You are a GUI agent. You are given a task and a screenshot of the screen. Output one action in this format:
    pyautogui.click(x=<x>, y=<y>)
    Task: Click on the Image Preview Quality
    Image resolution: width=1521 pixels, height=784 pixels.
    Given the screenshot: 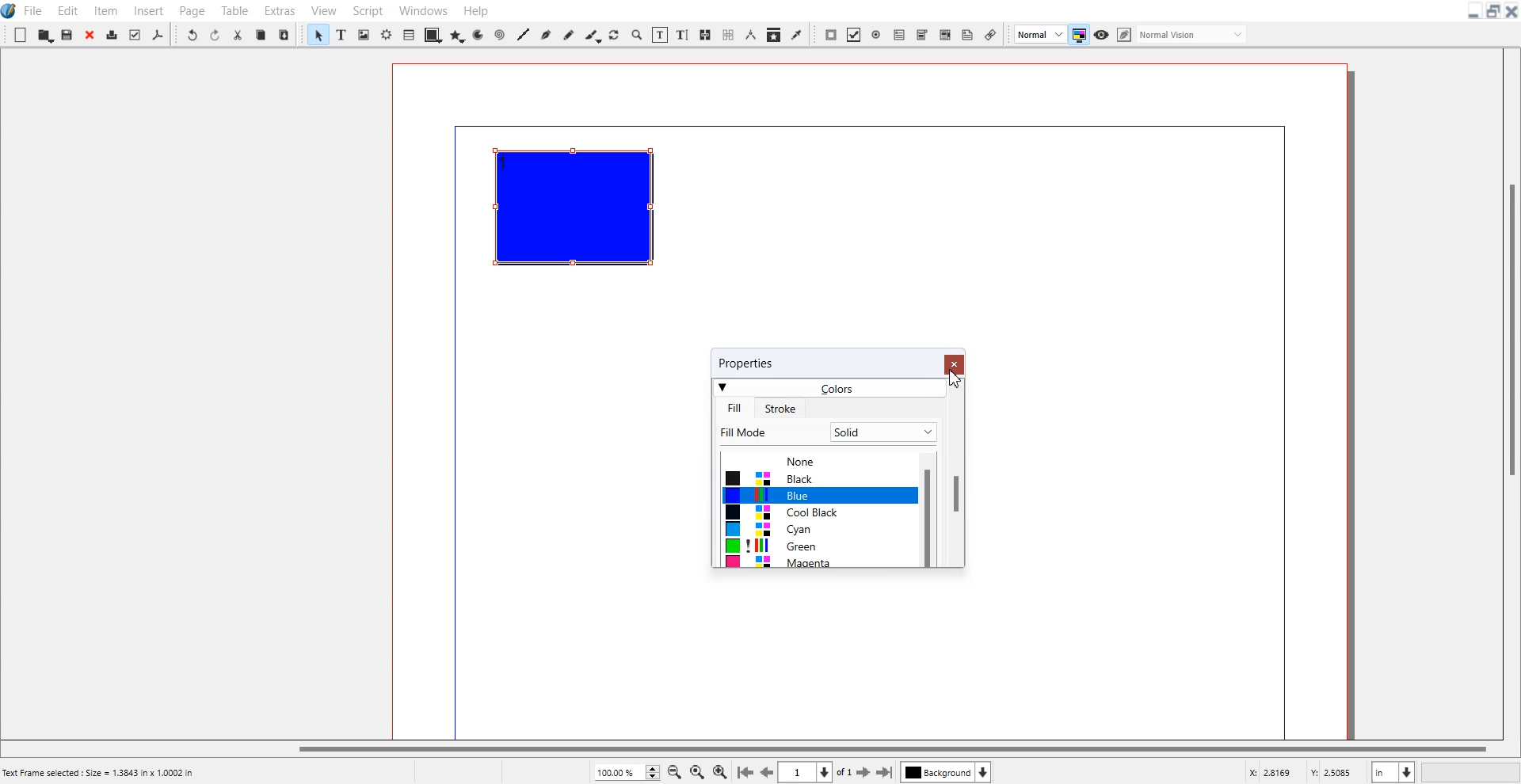 What is the action you would take?
    pyautogui.click(x=1039, y=33)
    